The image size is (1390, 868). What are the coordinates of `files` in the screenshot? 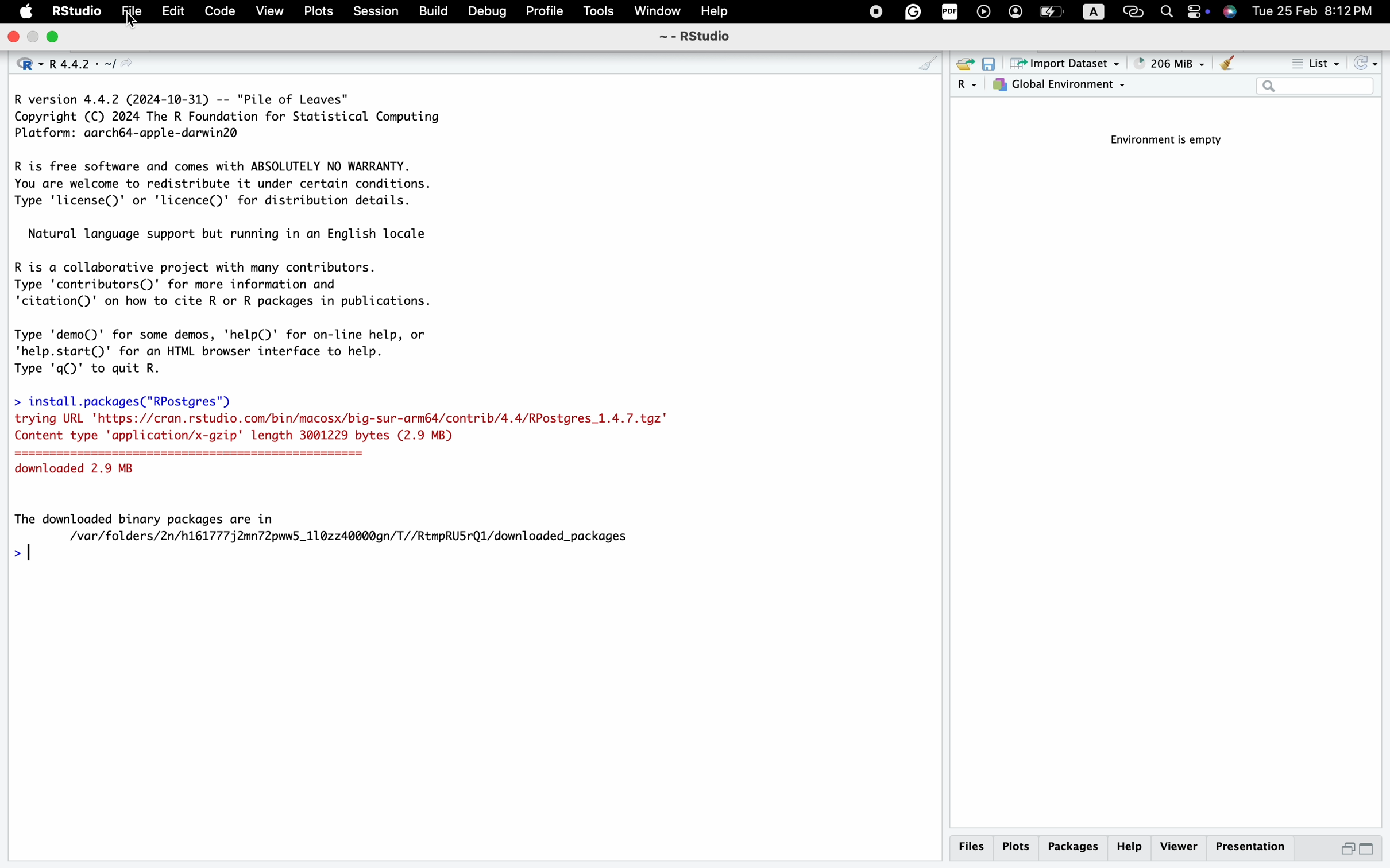 It's located at (974, 847).